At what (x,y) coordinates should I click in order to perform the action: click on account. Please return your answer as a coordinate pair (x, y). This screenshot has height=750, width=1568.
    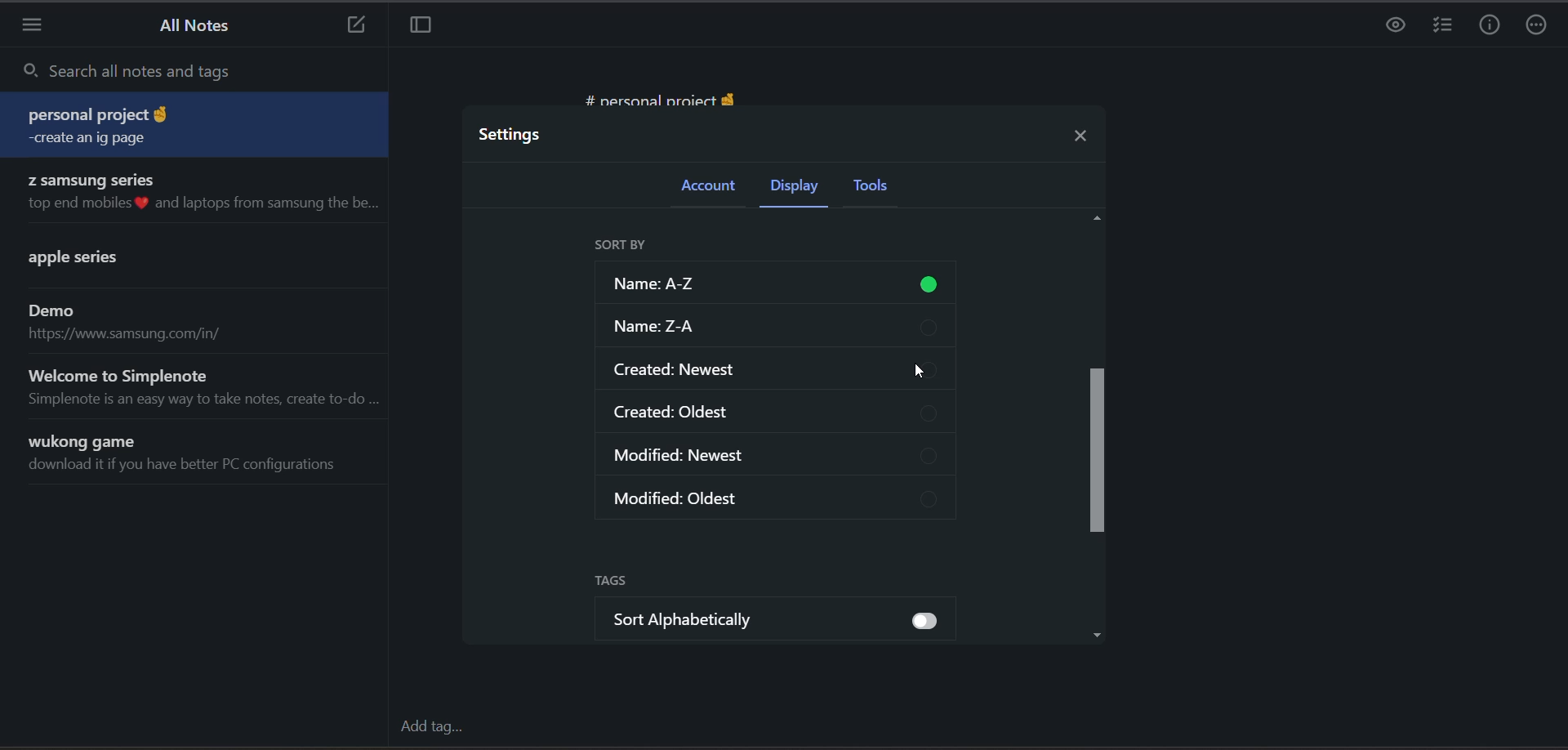
    Looking at the image, I should click on (711, 190).